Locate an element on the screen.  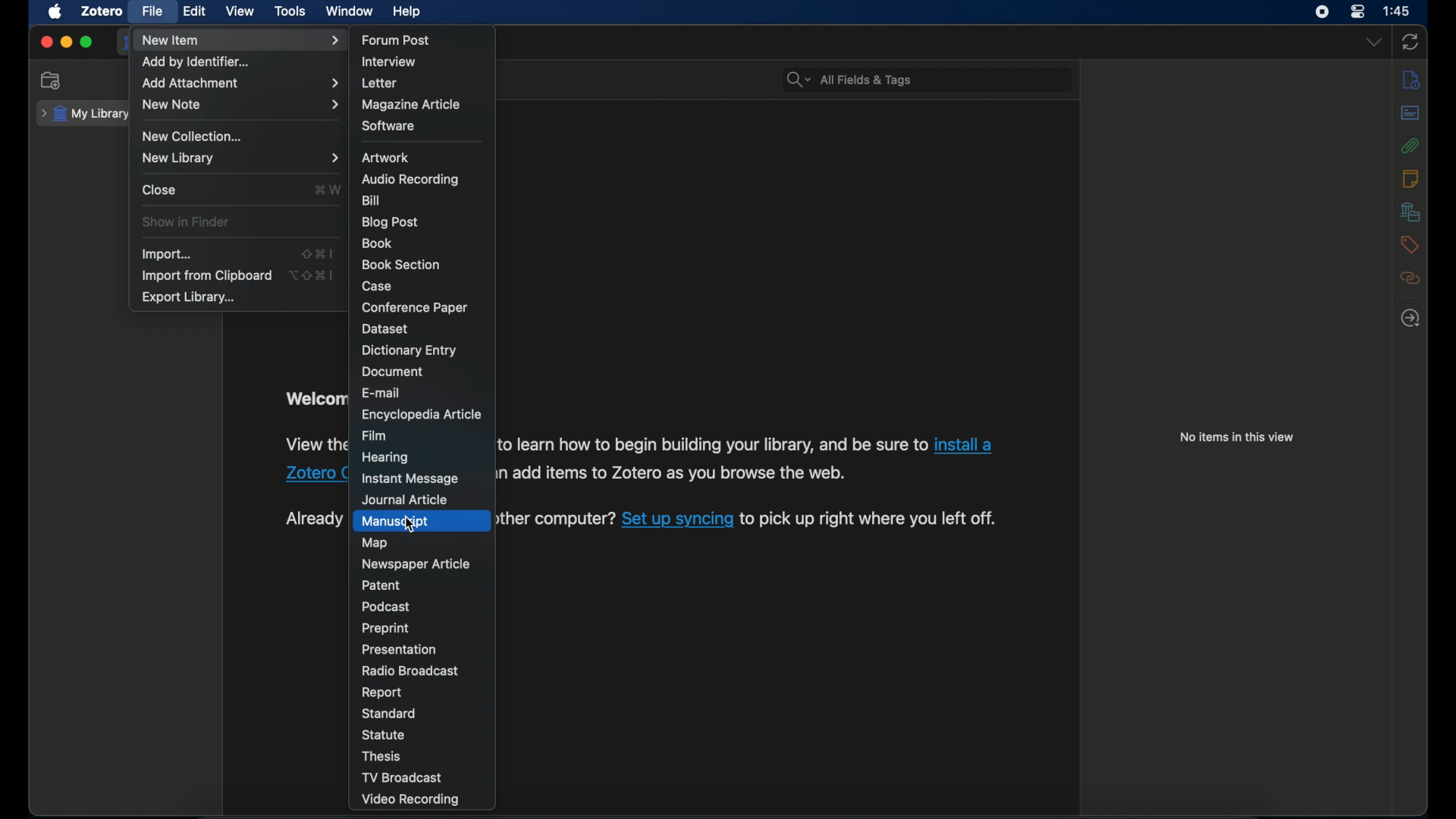
audio recording is located at coordinates (409, 179).